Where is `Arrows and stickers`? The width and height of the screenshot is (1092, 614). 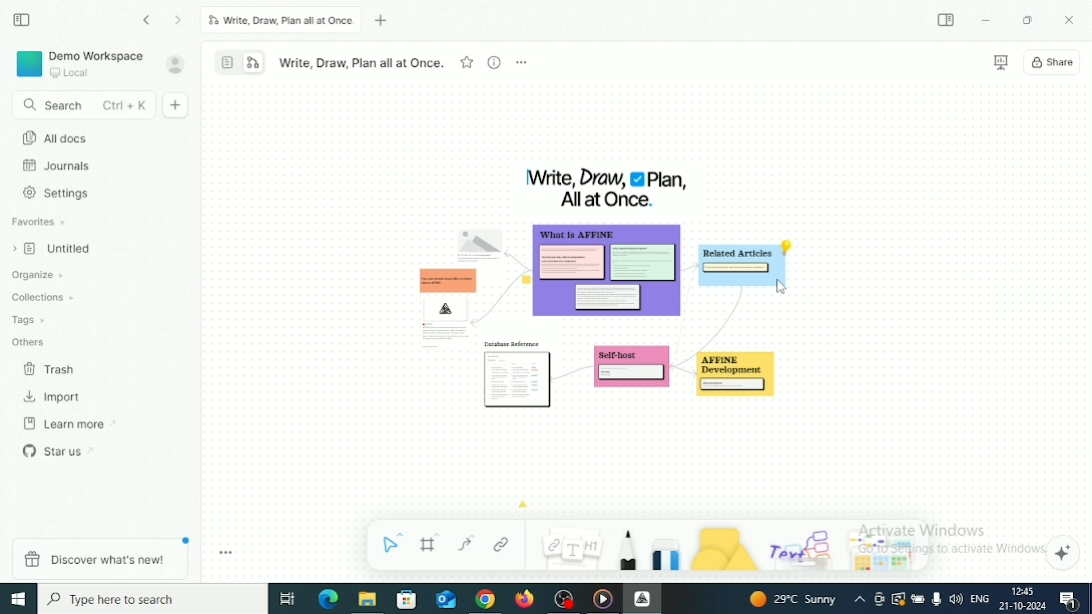 Arrows and stickers is located at coordinates (887, 553).